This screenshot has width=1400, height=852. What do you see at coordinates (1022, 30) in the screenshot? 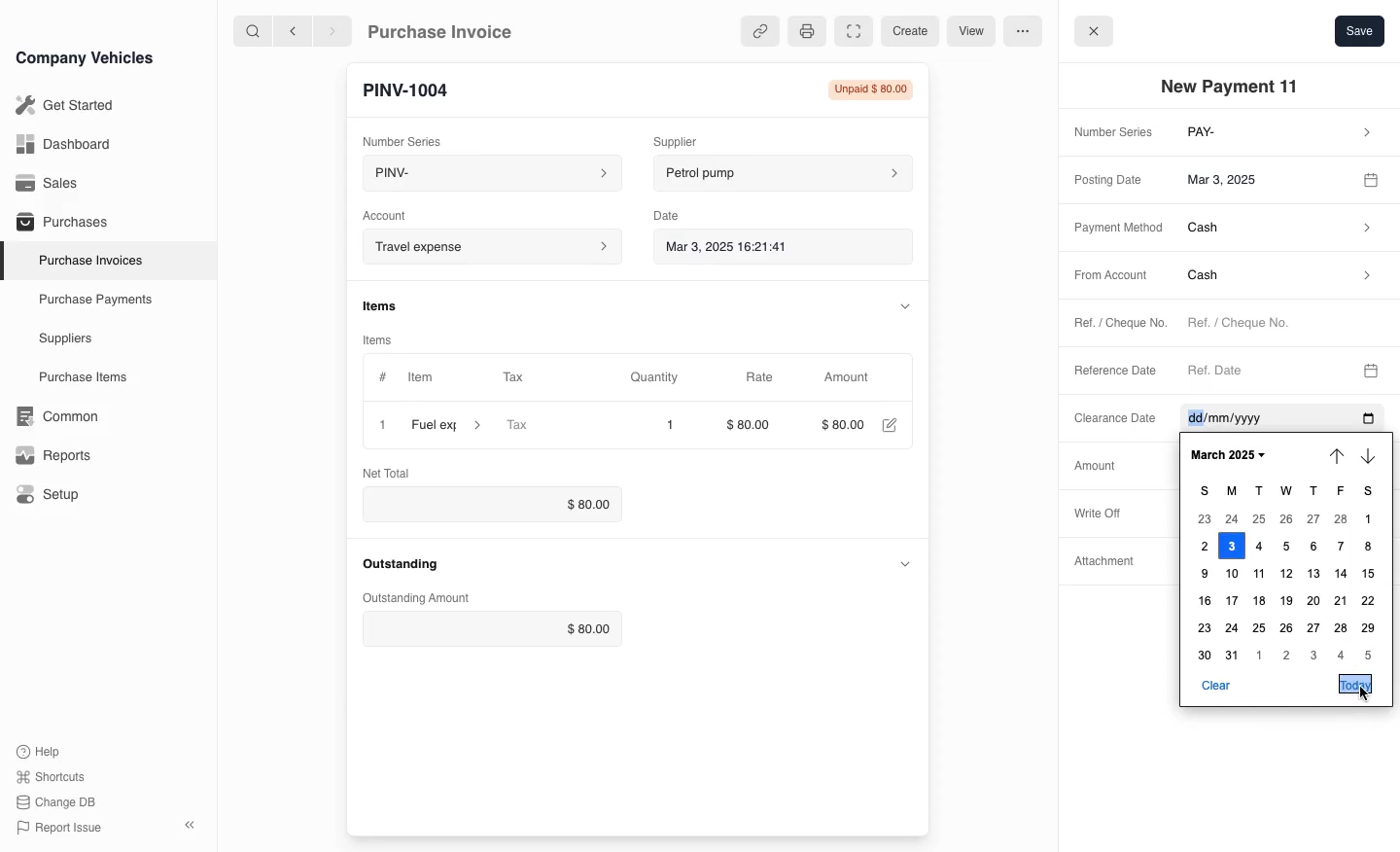
I see `options` at bounding box center [1022, 30].